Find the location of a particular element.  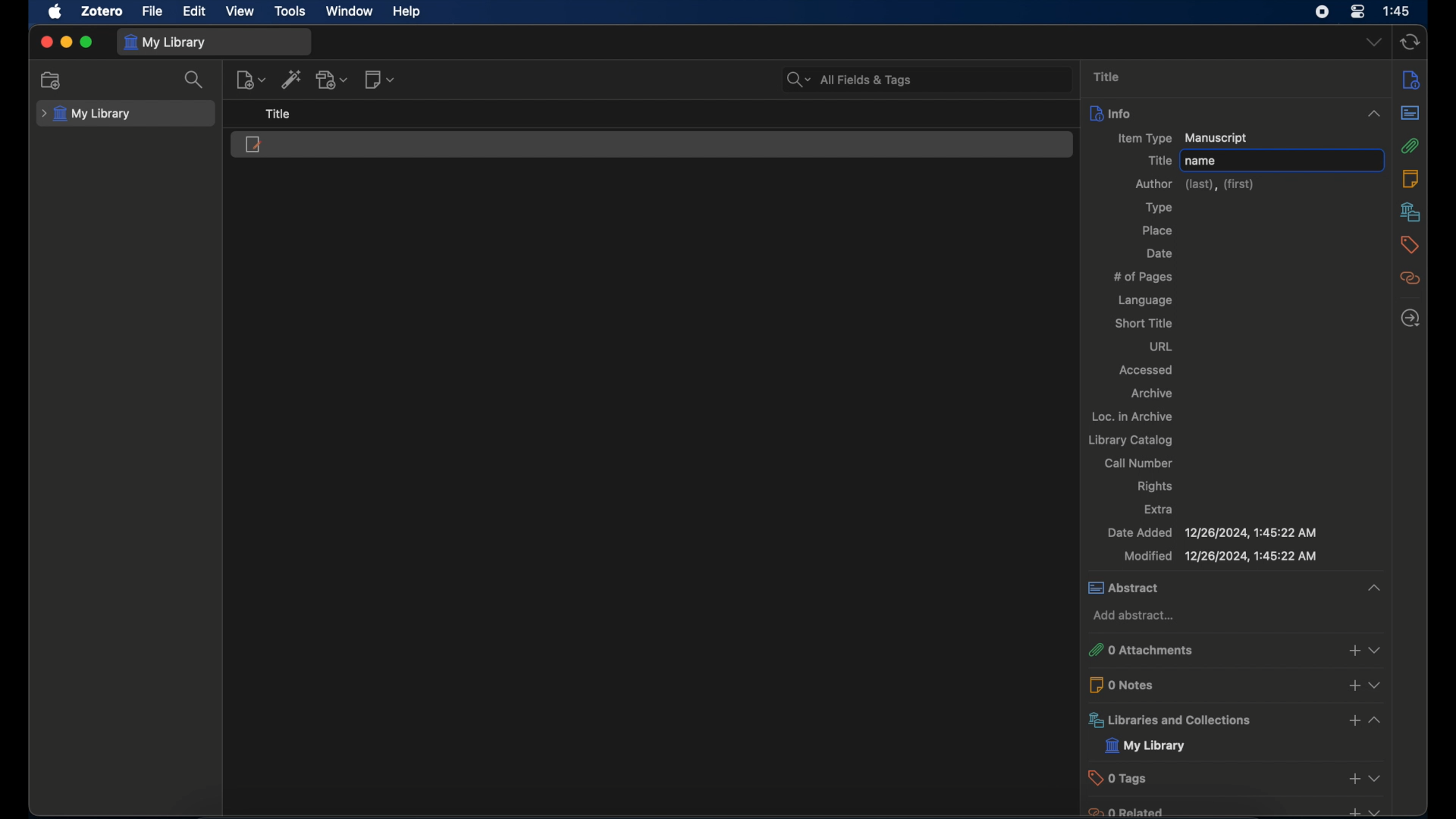

dropdown is located at coordinates (1374, 43).